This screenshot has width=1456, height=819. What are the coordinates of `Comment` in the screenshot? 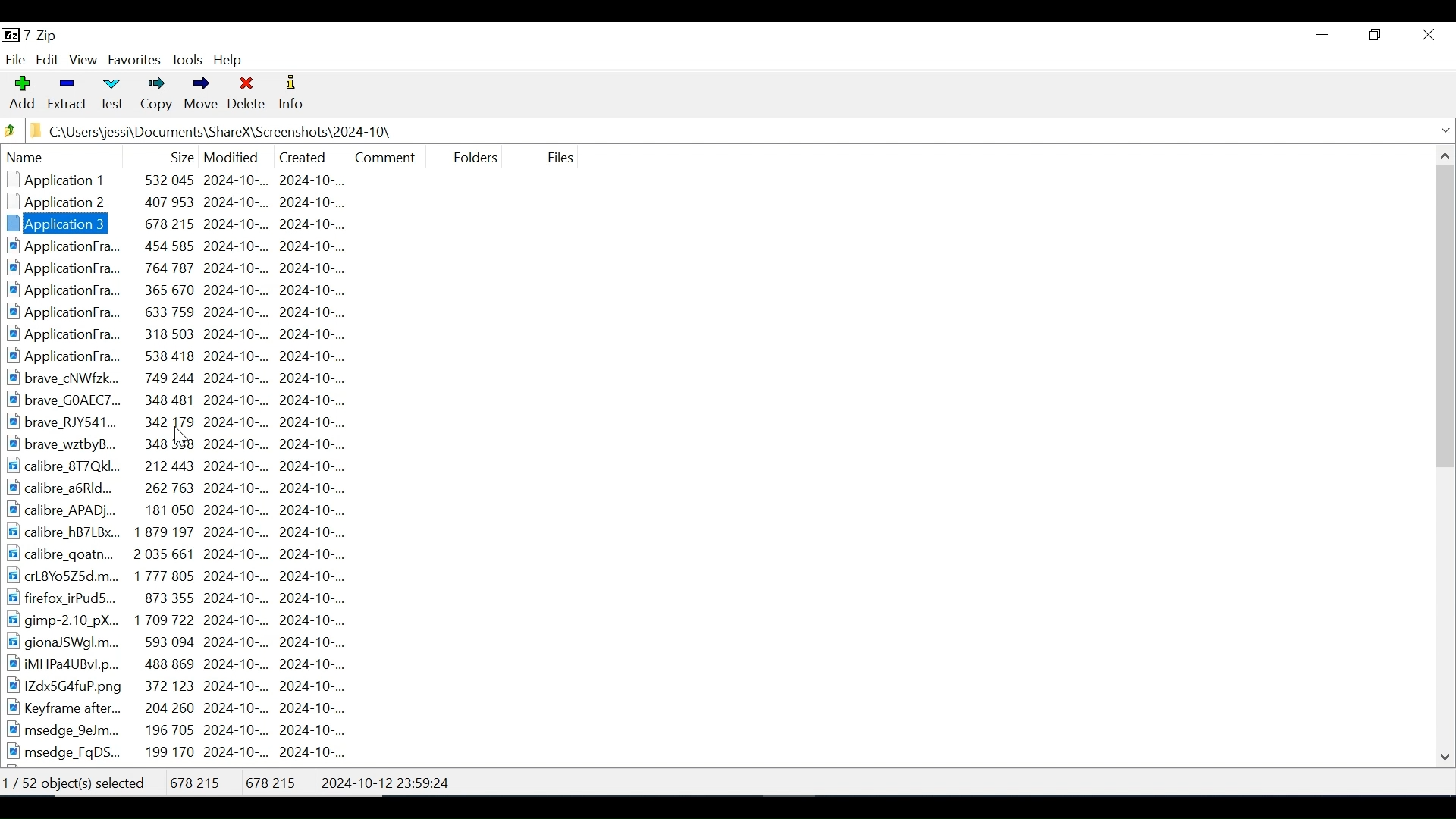 It's located at (385, 155).